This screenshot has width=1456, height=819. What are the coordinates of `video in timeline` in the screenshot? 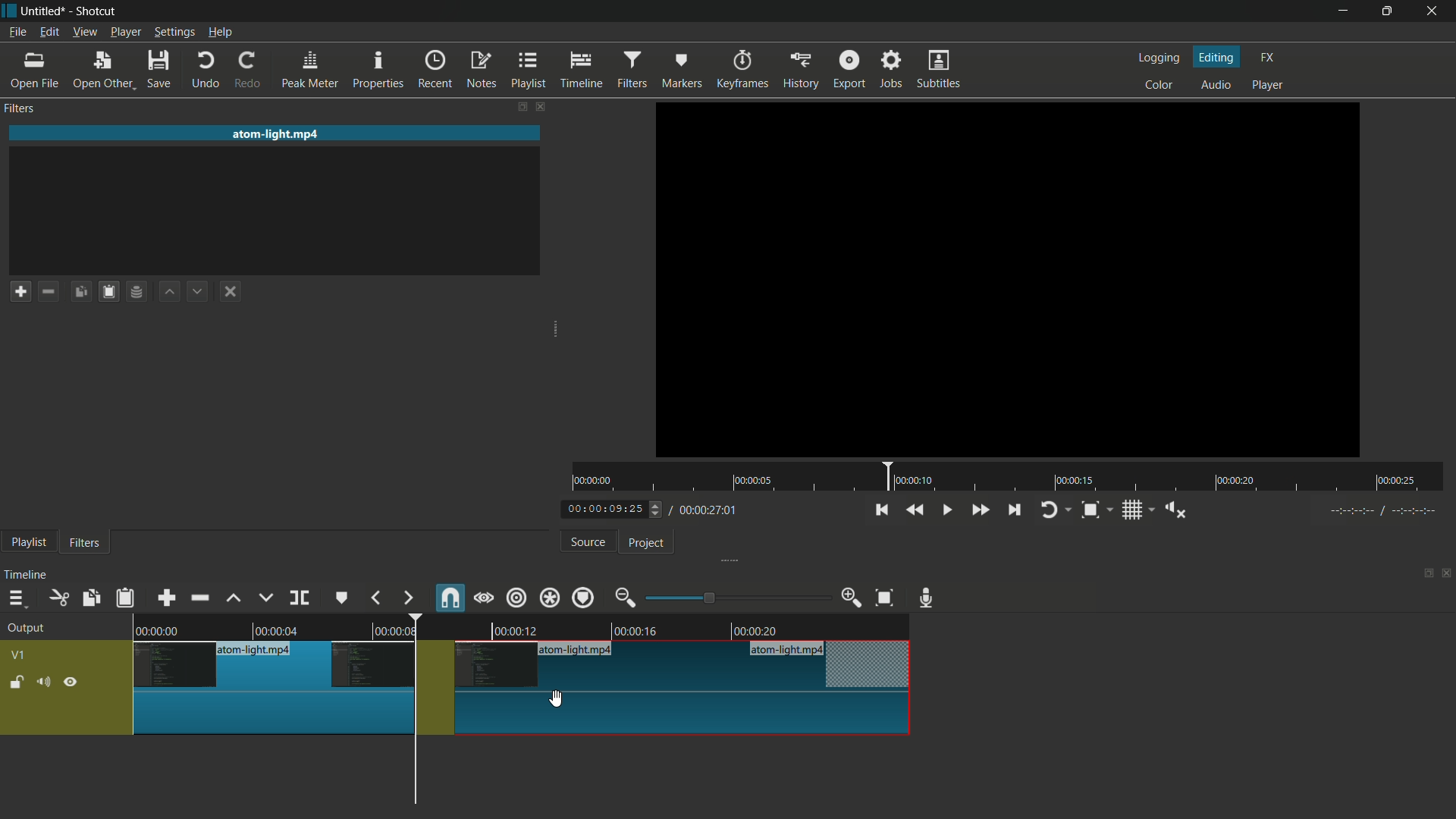 It's located at (520, 625).